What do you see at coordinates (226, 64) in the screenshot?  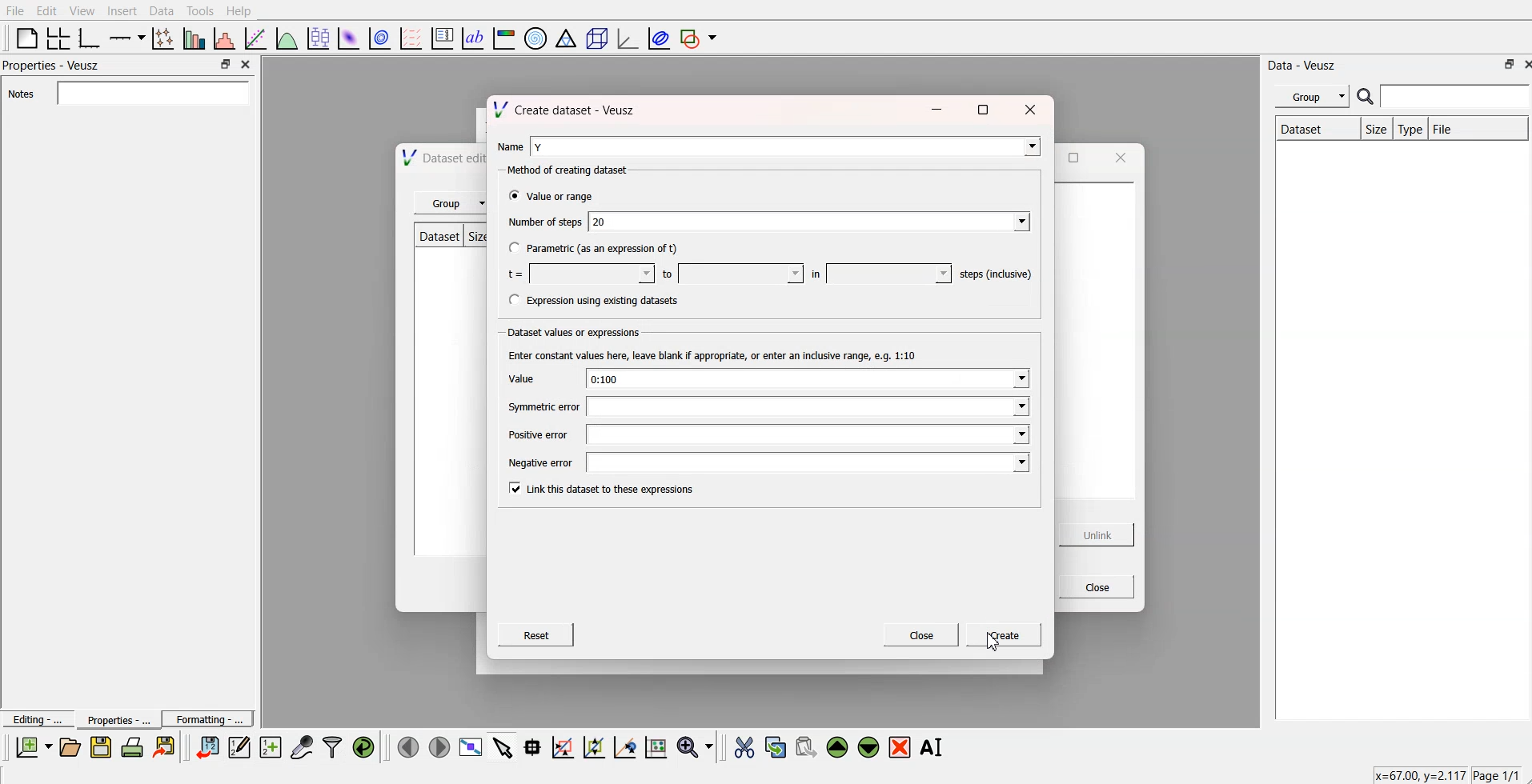 I see `Min/Max` at bounding box center [226, 64].